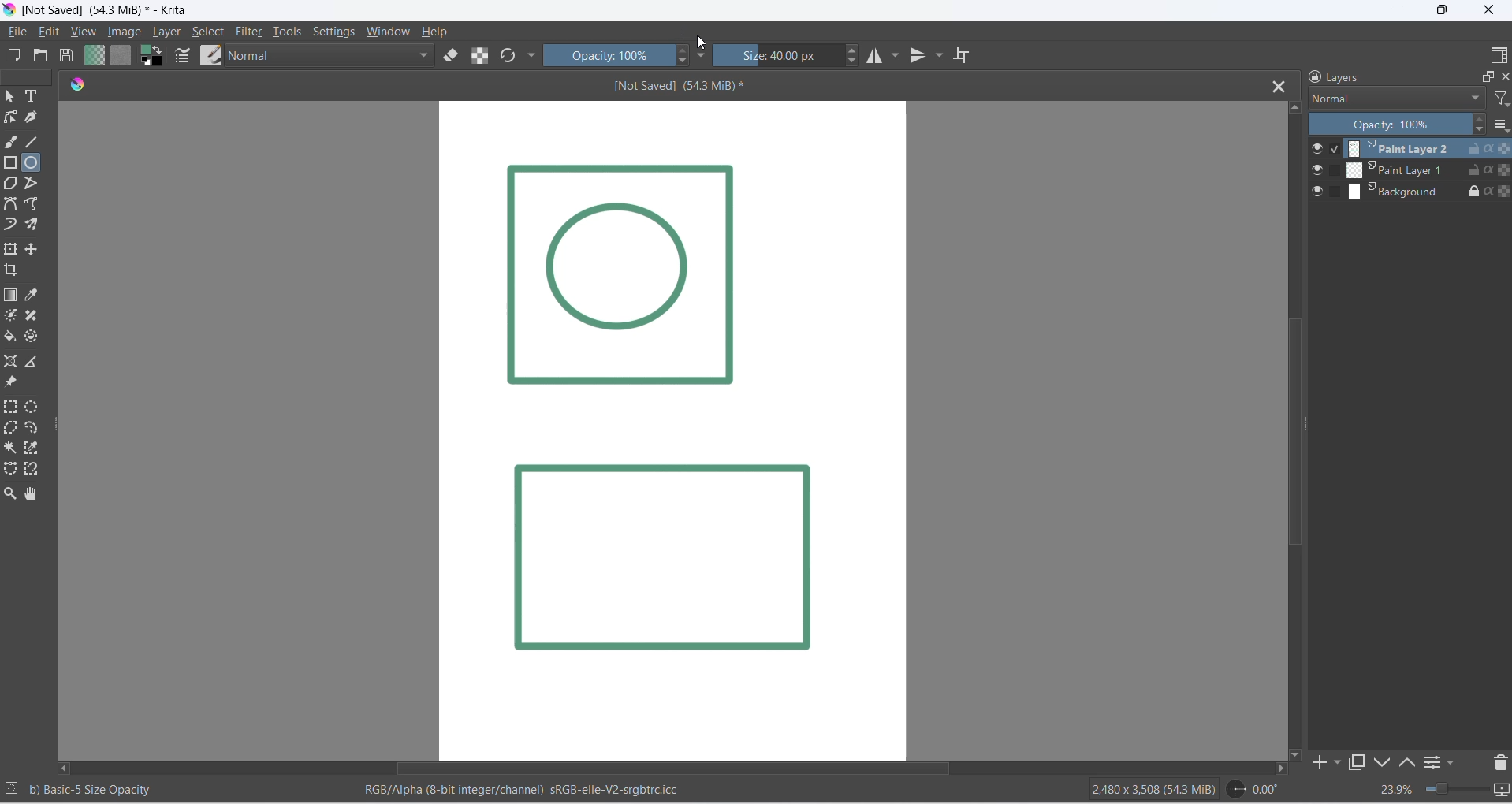 This screenshot has width=1512, height=804. What do you see at coordinates (1380, 76) in the screenshot?
I see `layers heading` at bounding box center [1380, 76].